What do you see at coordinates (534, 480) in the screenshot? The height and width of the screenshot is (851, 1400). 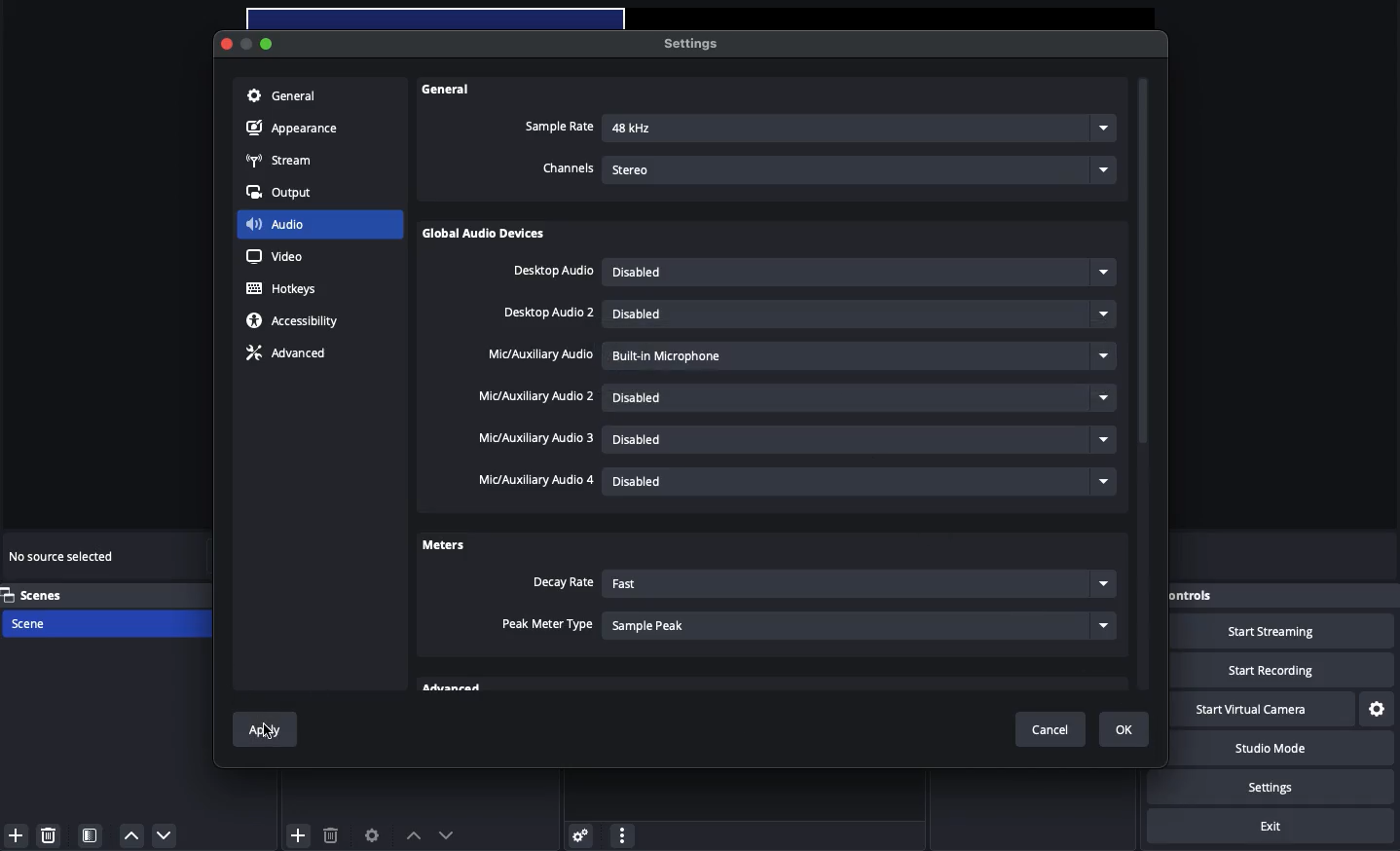 I see `Mic aux auto 4` at bounding box center [534, 480].